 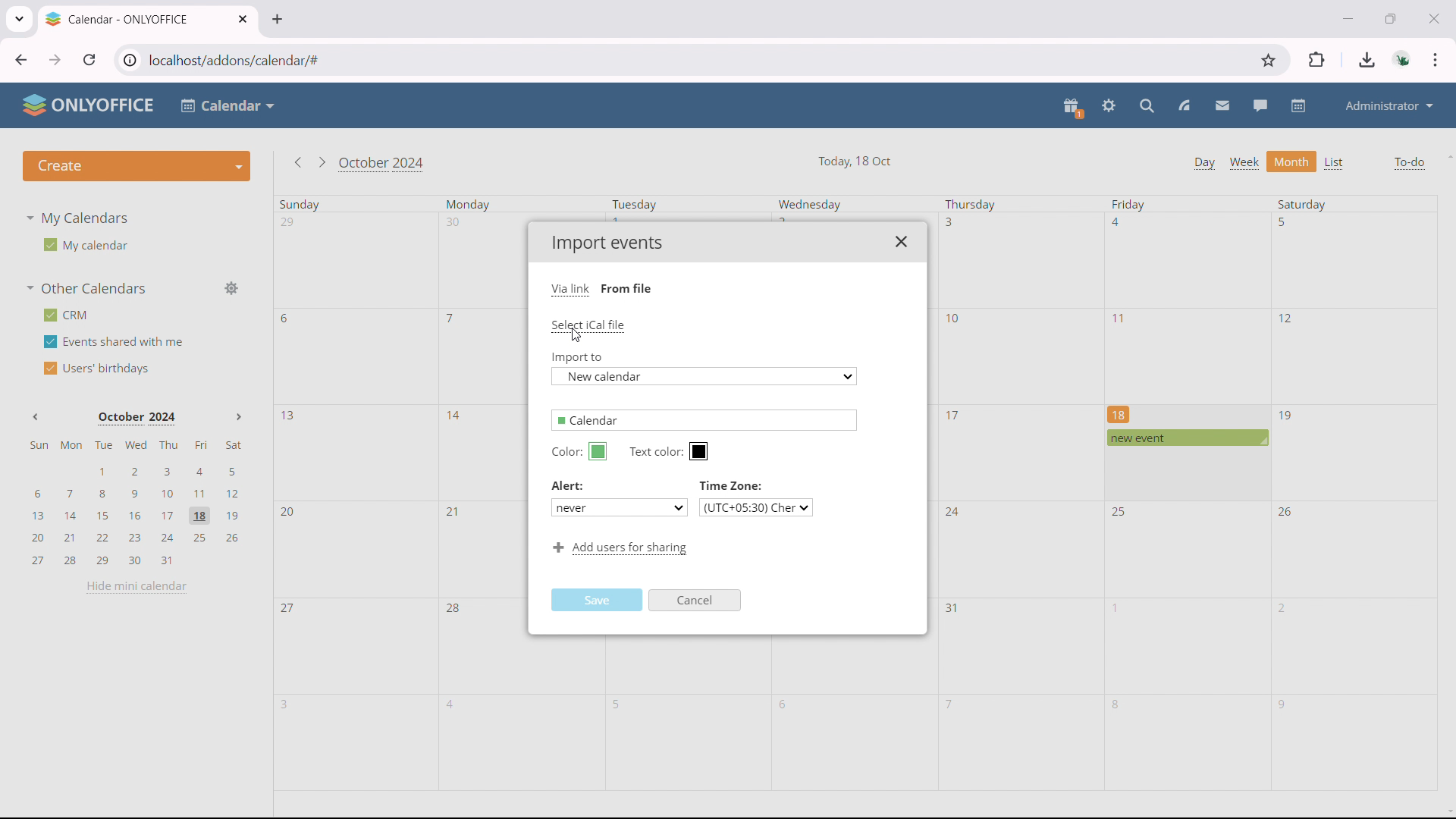 What do you see at coordinates (321, 162) in the screenshot?
I see `go to next month` at bounding box center [321, 162].